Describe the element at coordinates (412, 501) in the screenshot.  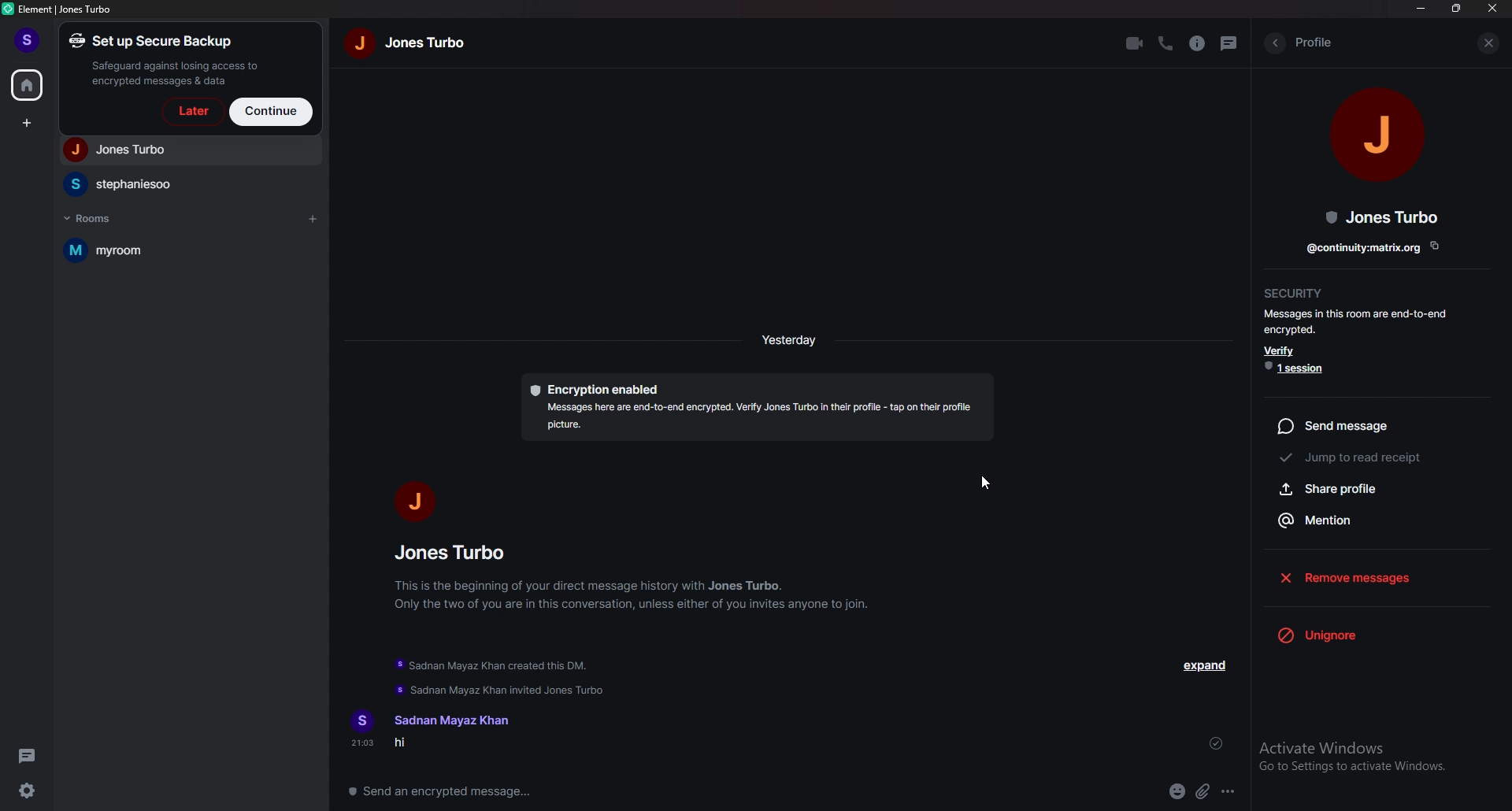
I see `people photo` at that location.